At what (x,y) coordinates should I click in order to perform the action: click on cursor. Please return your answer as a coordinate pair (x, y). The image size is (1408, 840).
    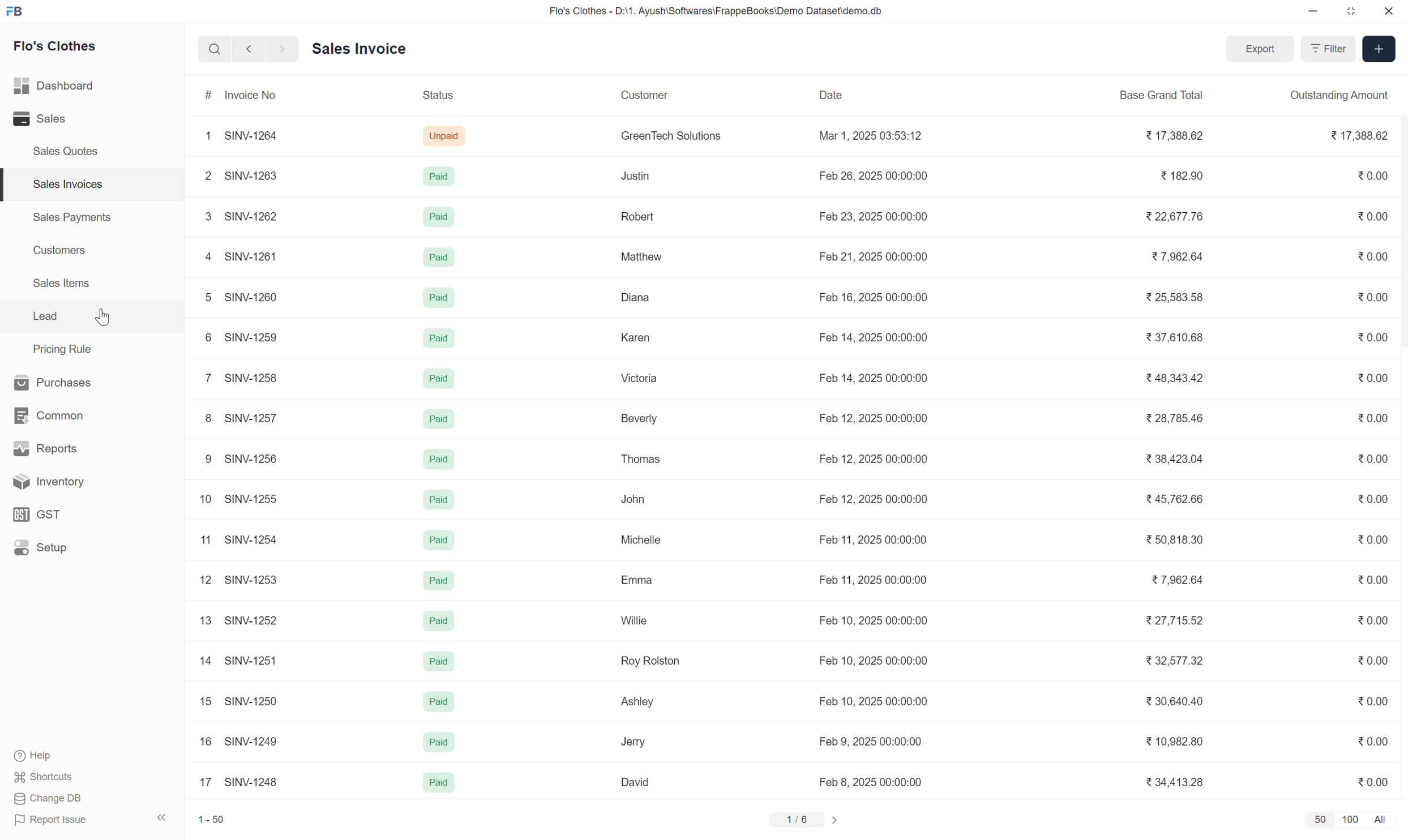
    Looking at the image, I should click on (106, 318).